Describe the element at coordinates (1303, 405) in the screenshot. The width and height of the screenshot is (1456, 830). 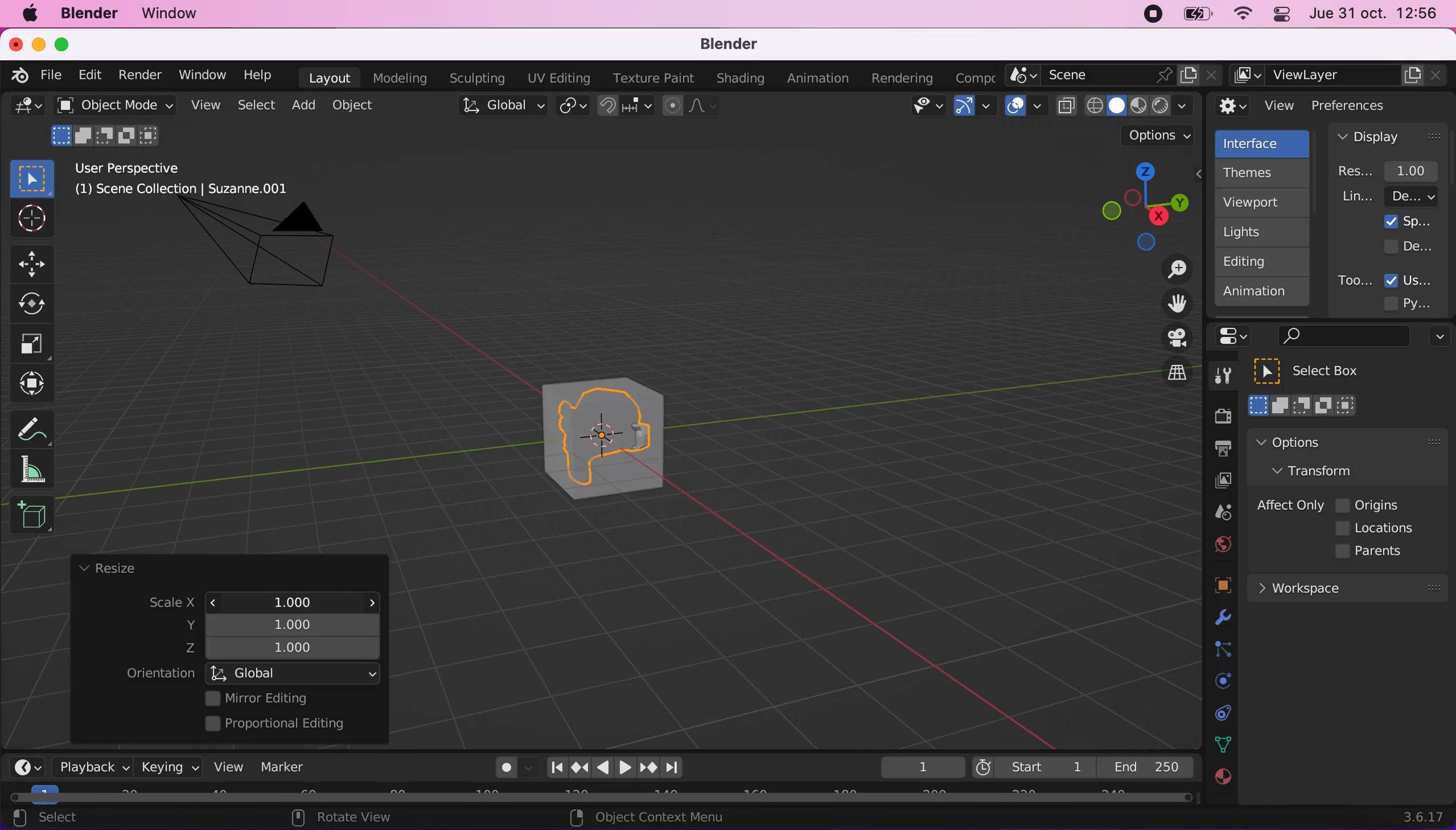
I see `select box mode` at that location.